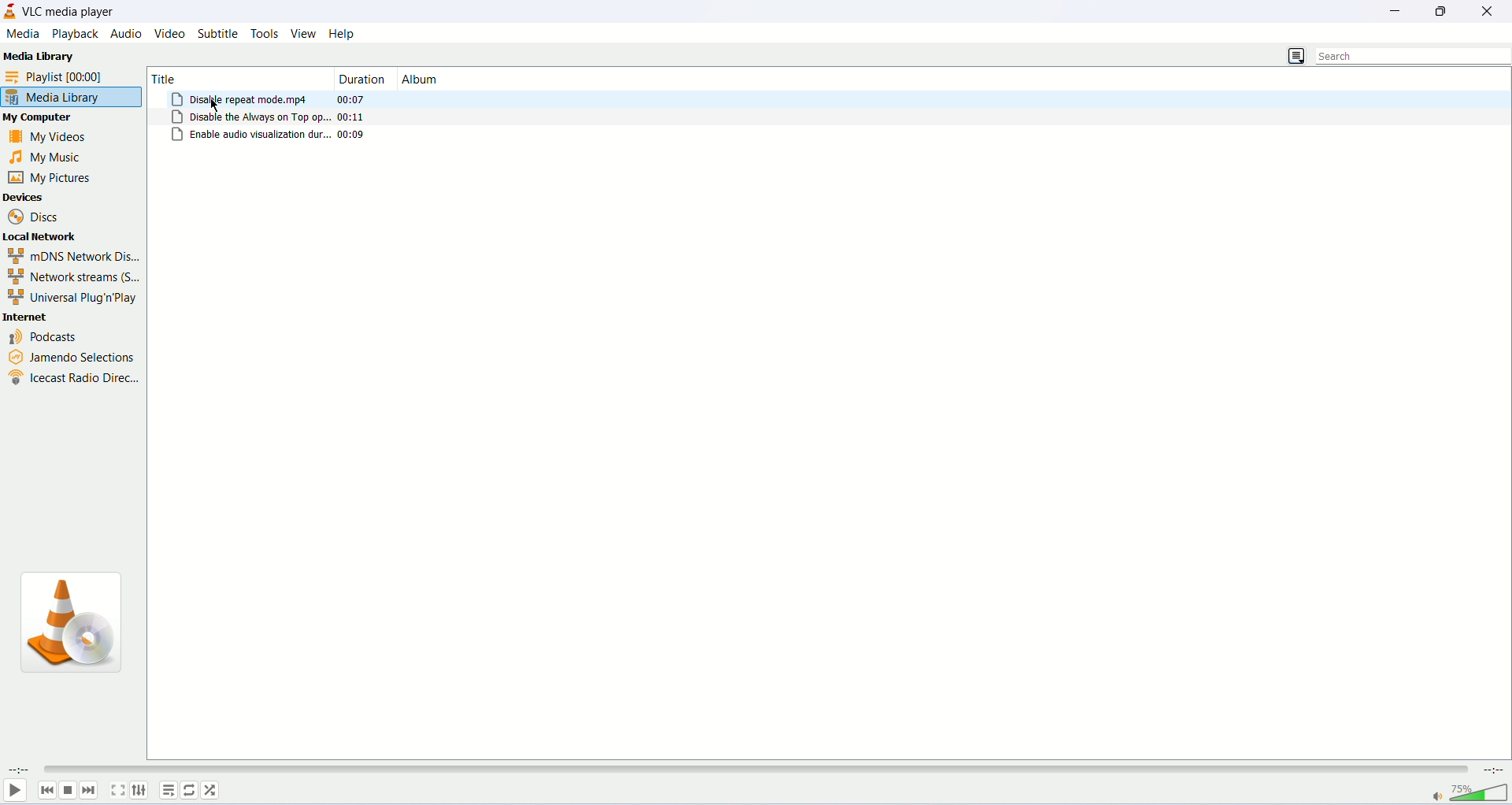  What do you see at coordinates (47, 790) in the screenshot?
I see `previous` at bounding box center [47, 790].